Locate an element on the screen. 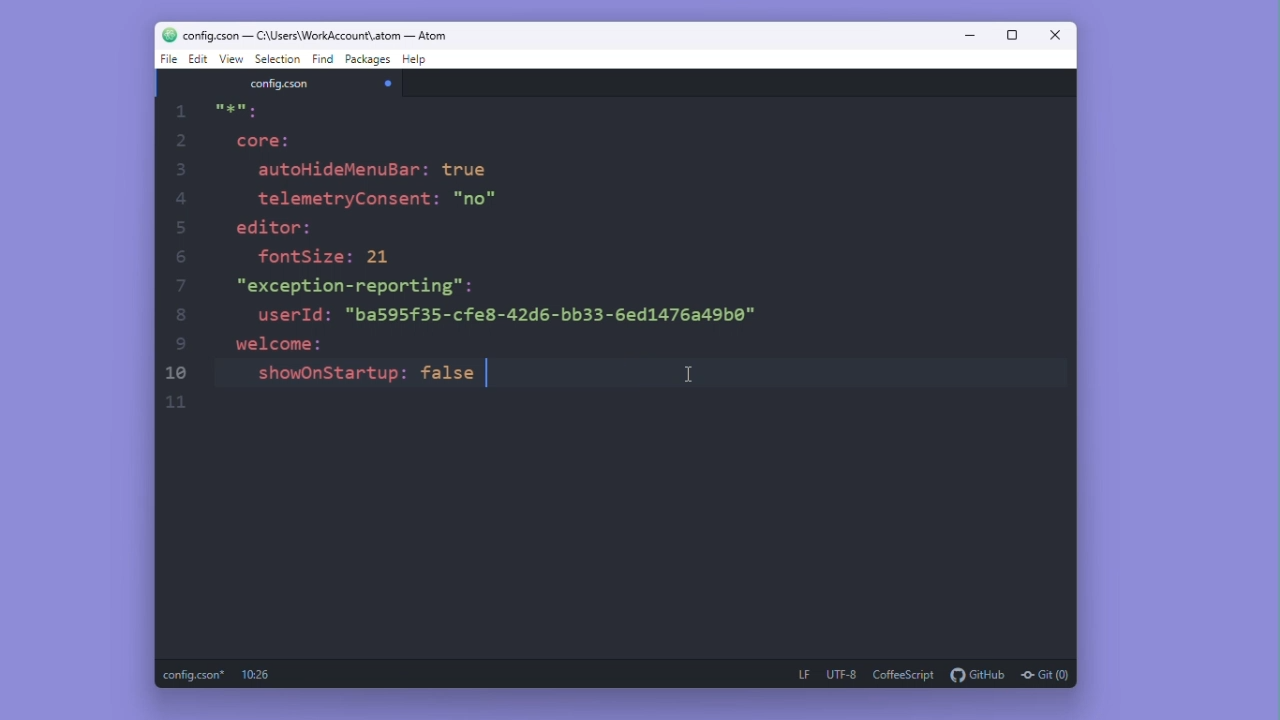 This screenshot has width=1280, height=720. Edit is located at coordinates (198, 59).